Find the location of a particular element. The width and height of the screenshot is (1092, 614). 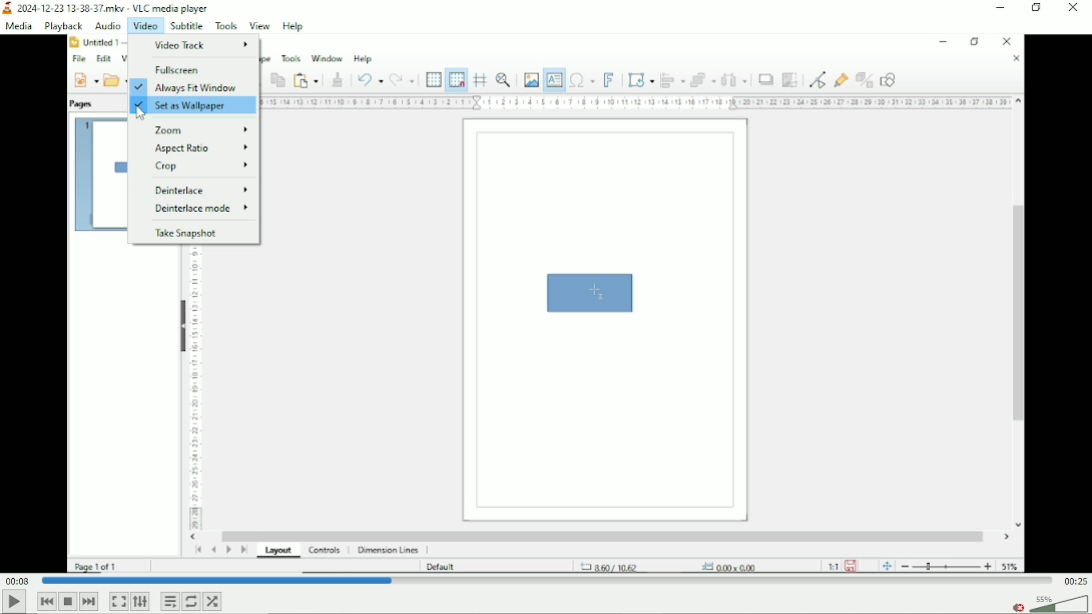

Zoom is located at coordinates (201, 131).